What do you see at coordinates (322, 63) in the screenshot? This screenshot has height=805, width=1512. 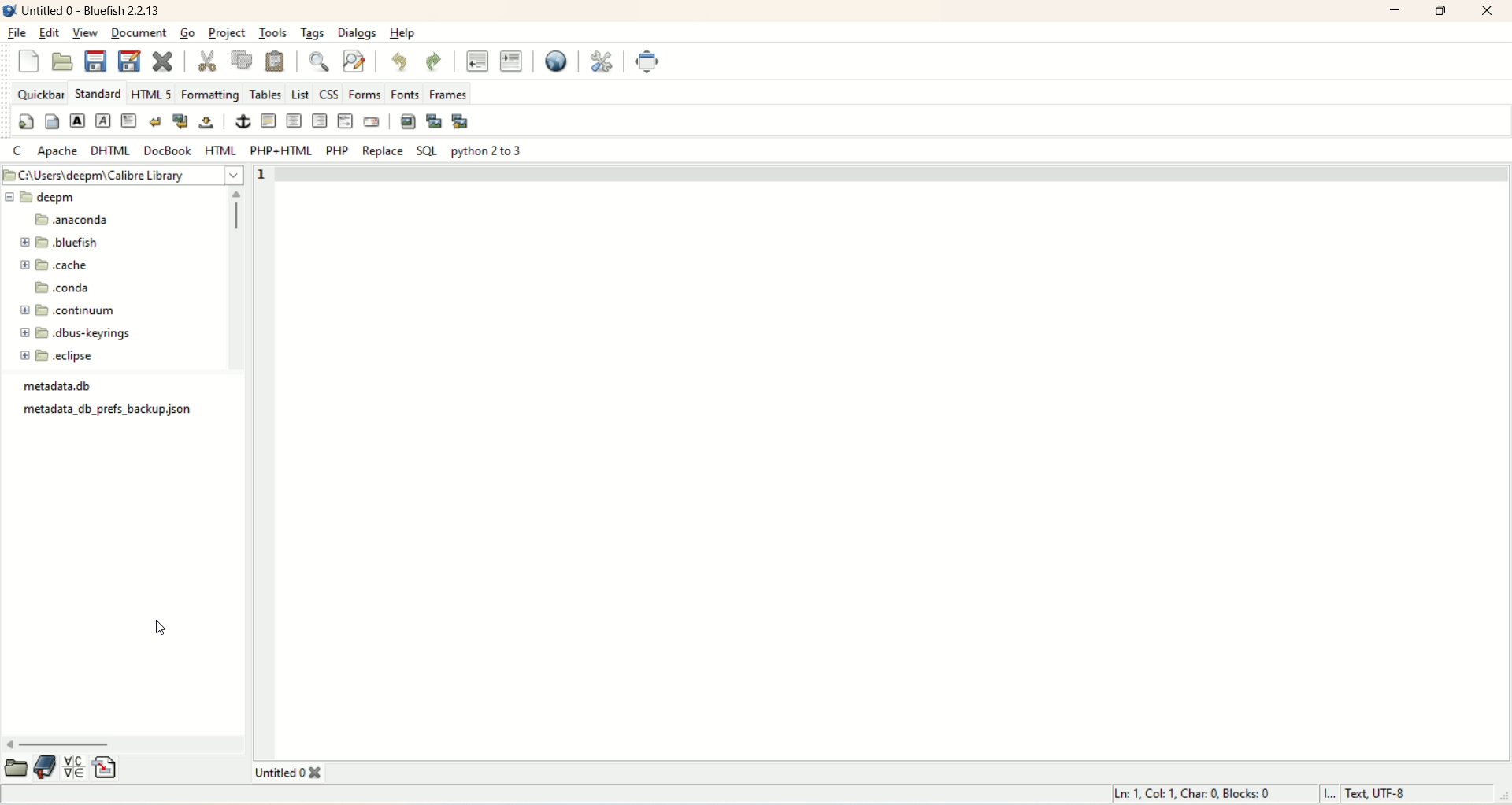 I see `show find bar` at bounding box center [322, 63].